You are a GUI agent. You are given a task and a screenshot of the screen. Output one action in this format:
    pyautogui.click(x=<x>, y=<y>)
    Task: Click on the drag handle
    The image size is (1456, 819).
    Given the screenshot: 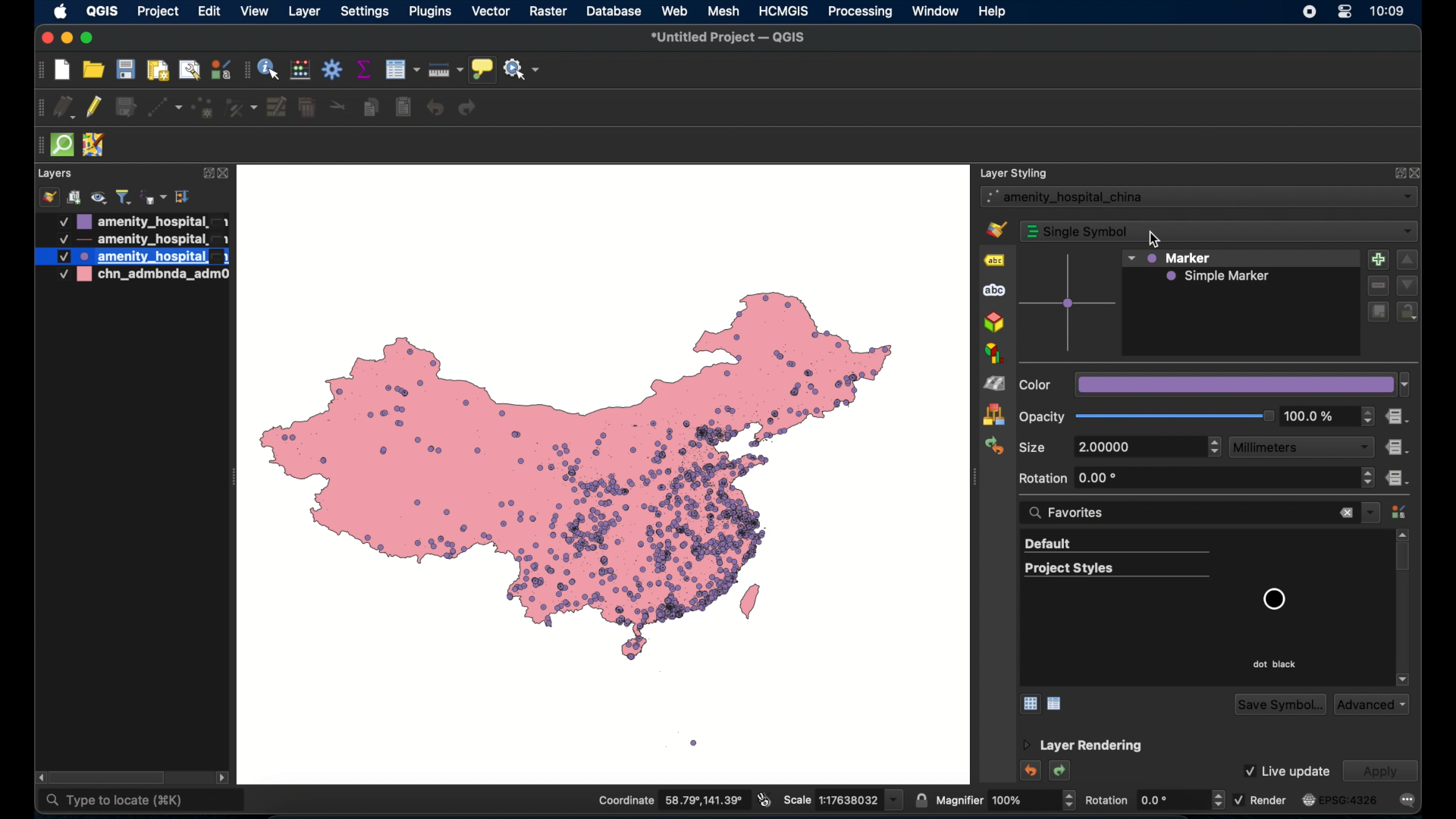 What is the action you would take?
    pyautogui.click(x=37, y=146)
    